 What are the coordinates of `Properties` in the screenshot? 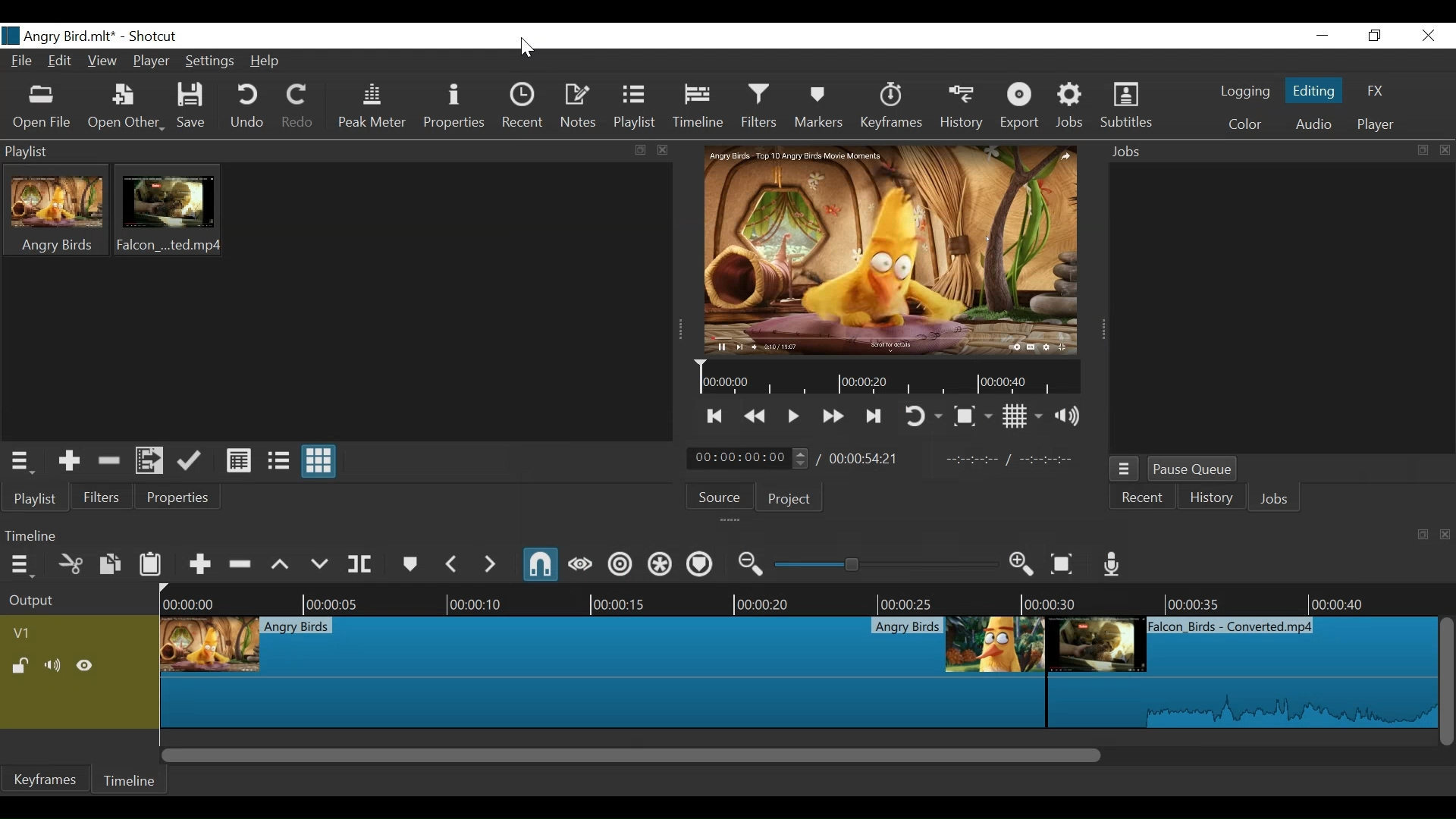 It's located at (453, 108).